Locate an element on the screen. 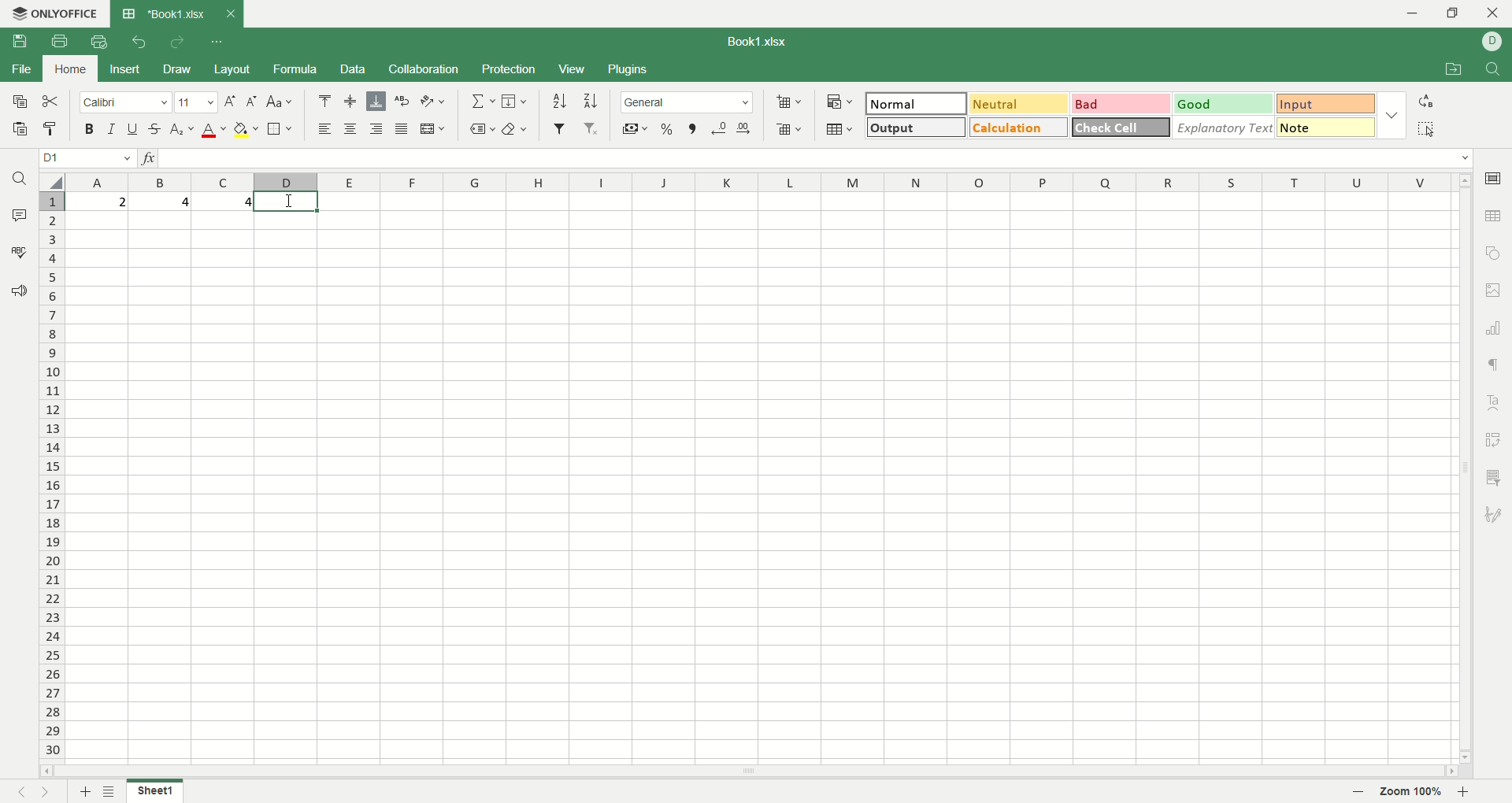 The width and height of the screenshot is (1512, 803). cell settings is located at coordinates (1491, 179).